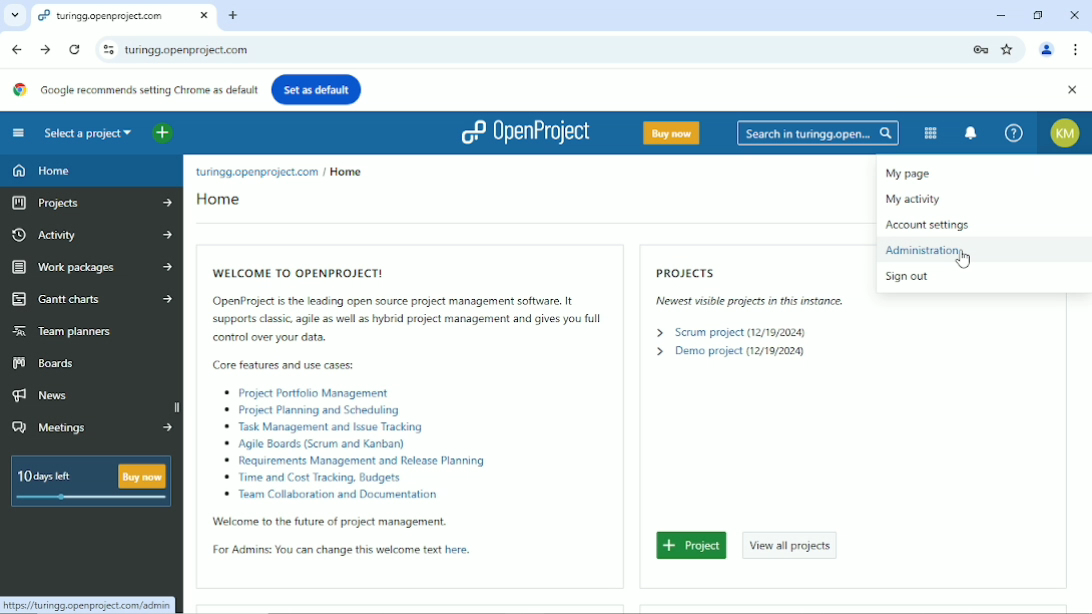 Image resolution: width=1092 pixels, height=614 pixels. Describe the element at coordinates (45, 363) in the screenshot. I see `Boards` at that location.